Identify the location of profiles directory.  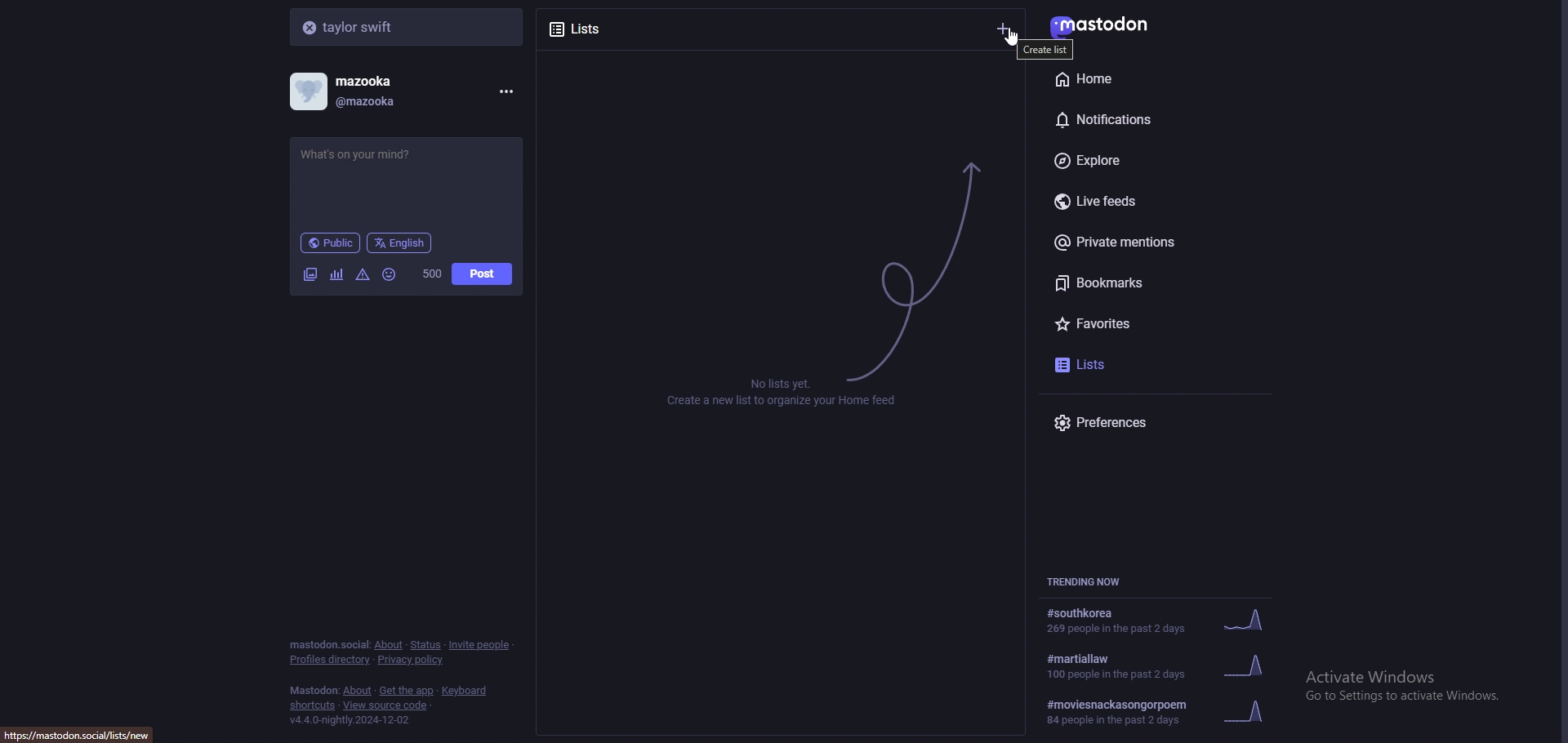
(331, 661).